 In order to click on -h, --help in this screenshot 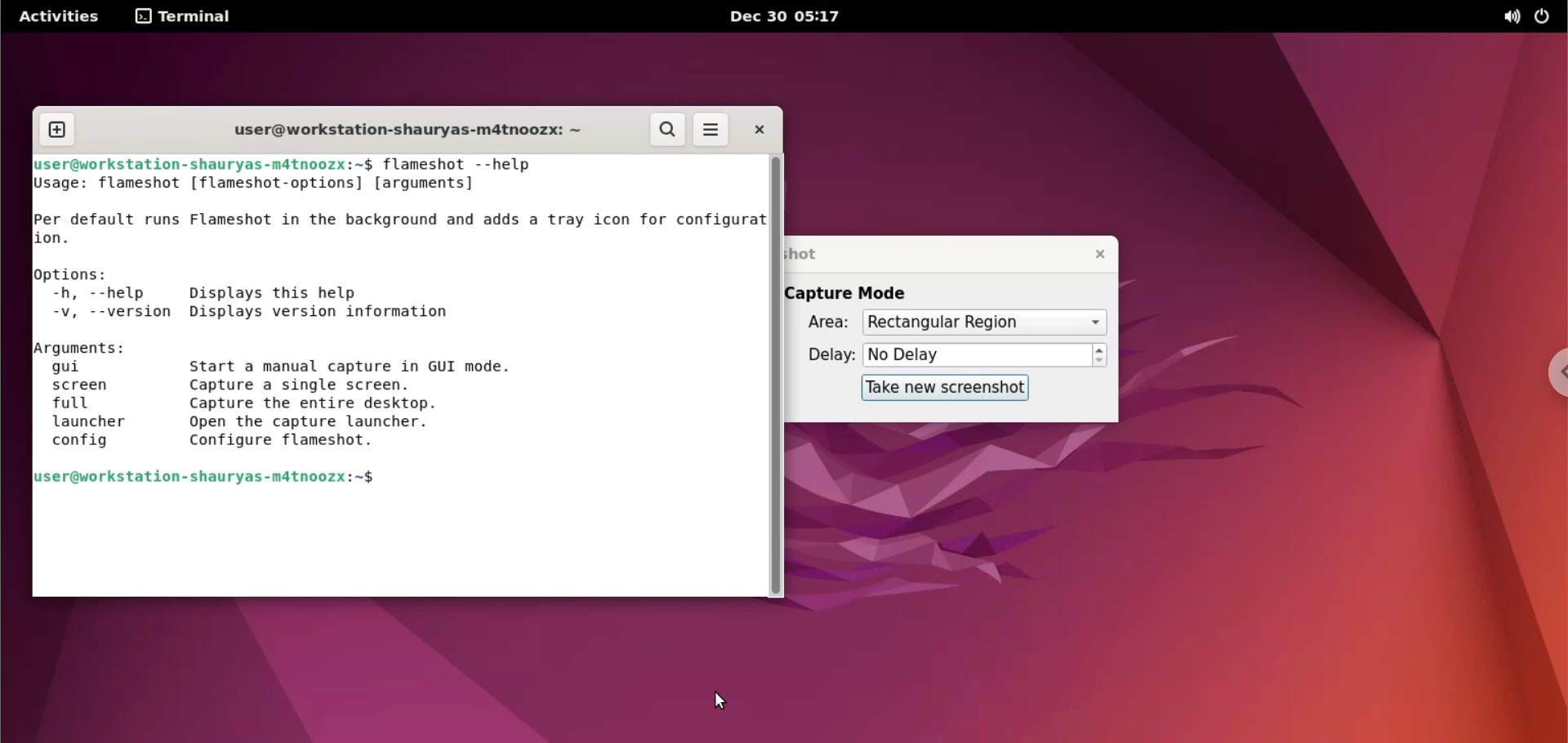, I will do `click(105, 295)`.